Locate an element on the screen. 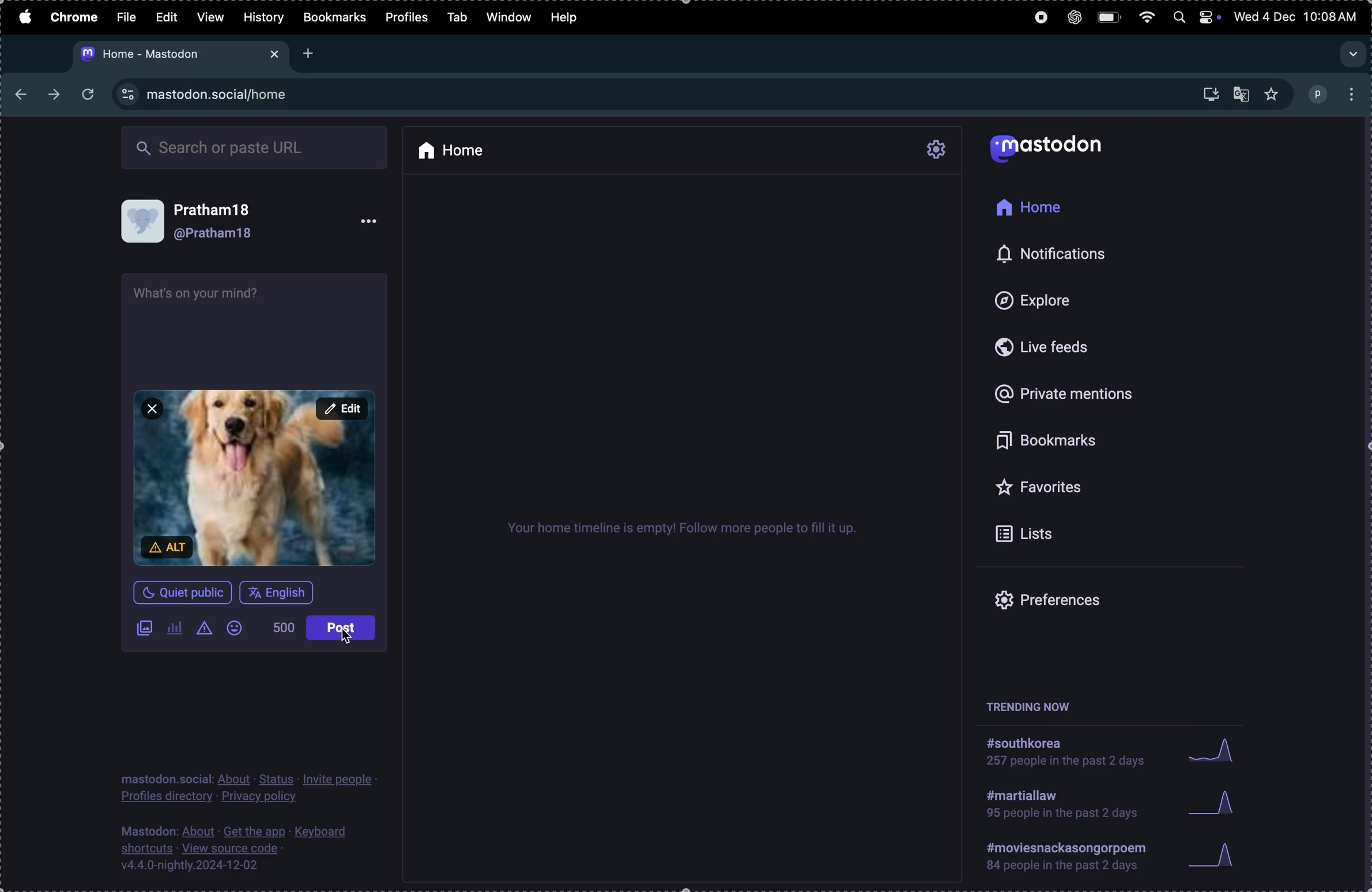 Image resolution: width=1372 pixels, height=892 pixels. Notifications is located at coordinates (1067, 256).